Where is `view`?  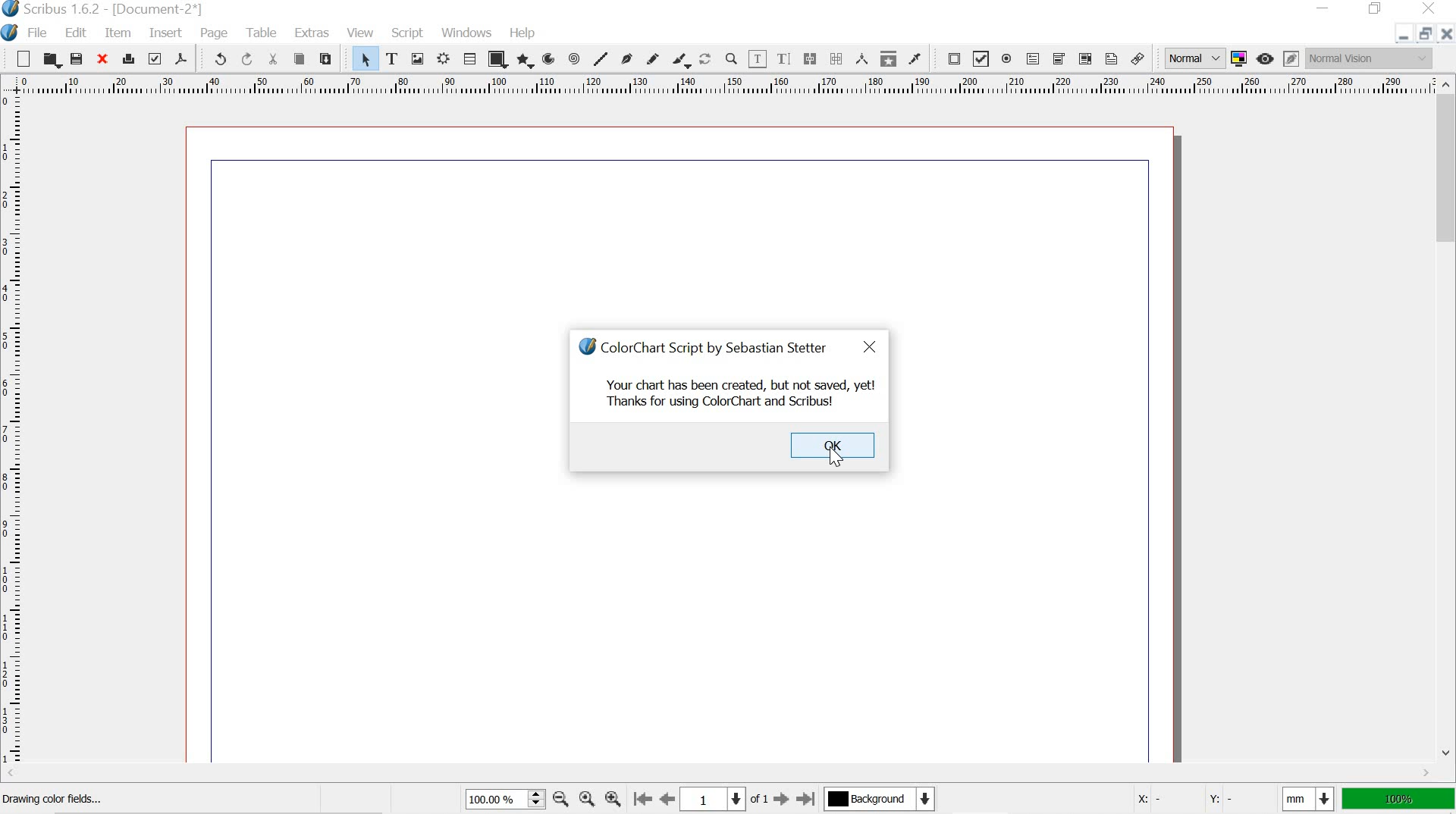 view is located at coordinates (361, 31).